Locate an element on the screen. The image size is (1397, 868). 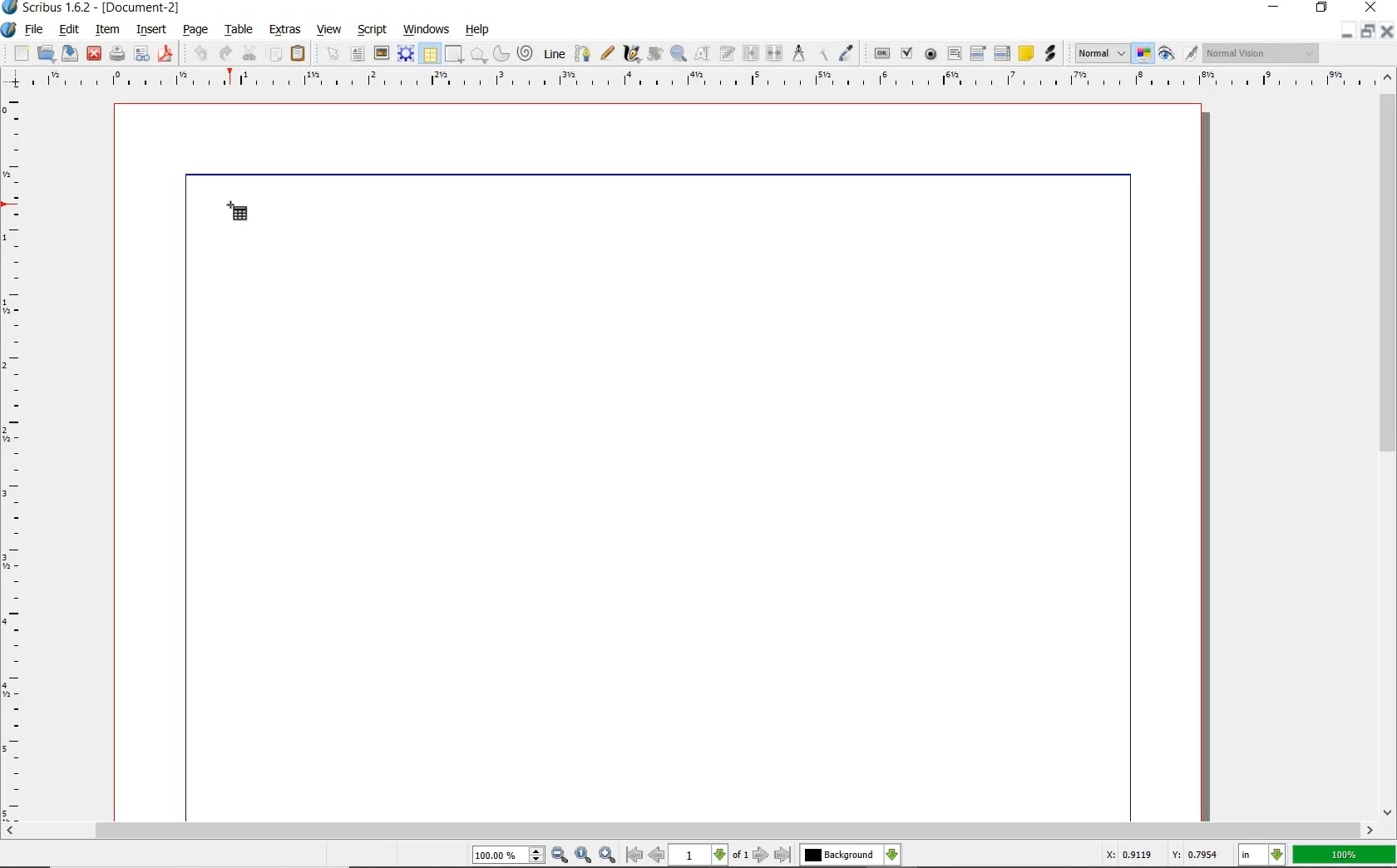
go to last page is located at coordinates (782, 855).